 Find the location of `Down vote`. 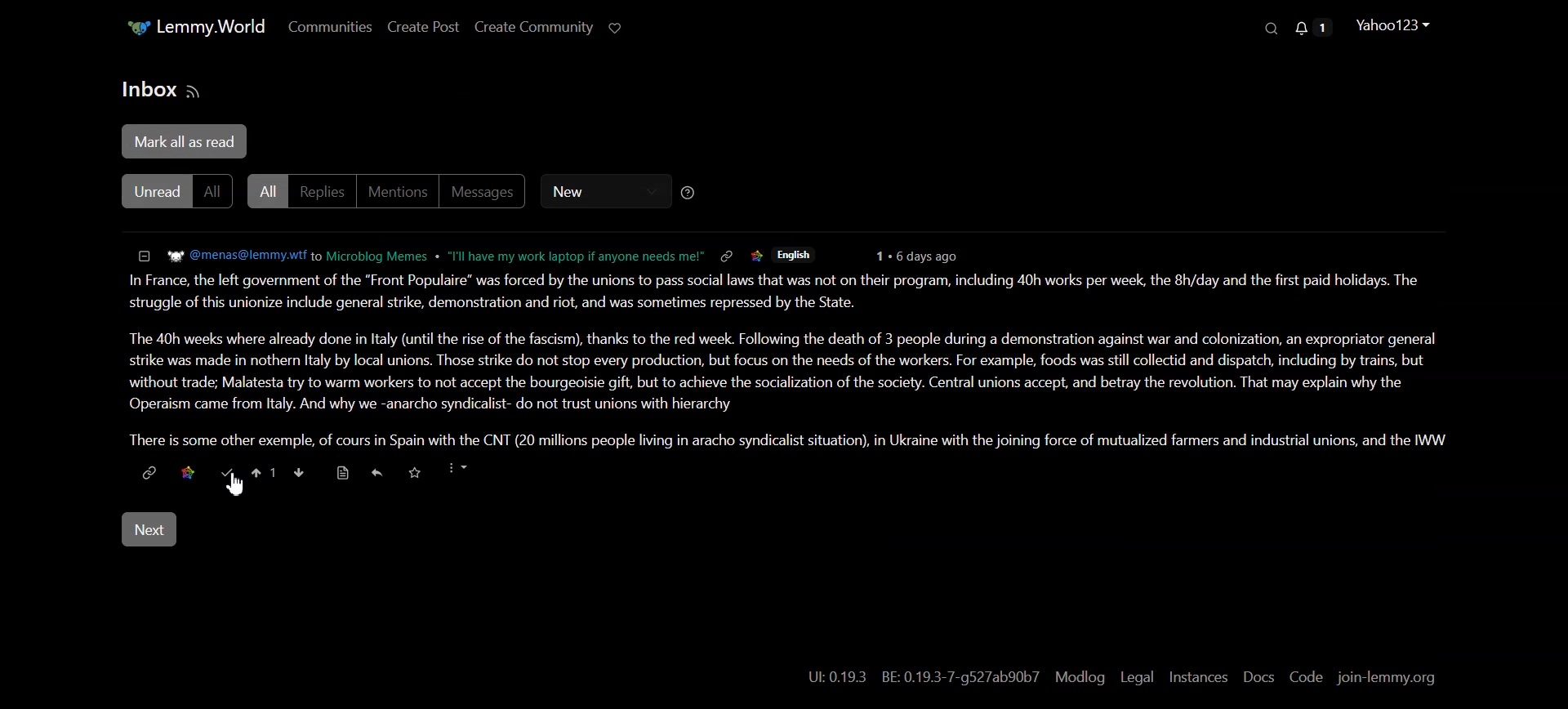

Down vote is located at coordinates (300, 473).